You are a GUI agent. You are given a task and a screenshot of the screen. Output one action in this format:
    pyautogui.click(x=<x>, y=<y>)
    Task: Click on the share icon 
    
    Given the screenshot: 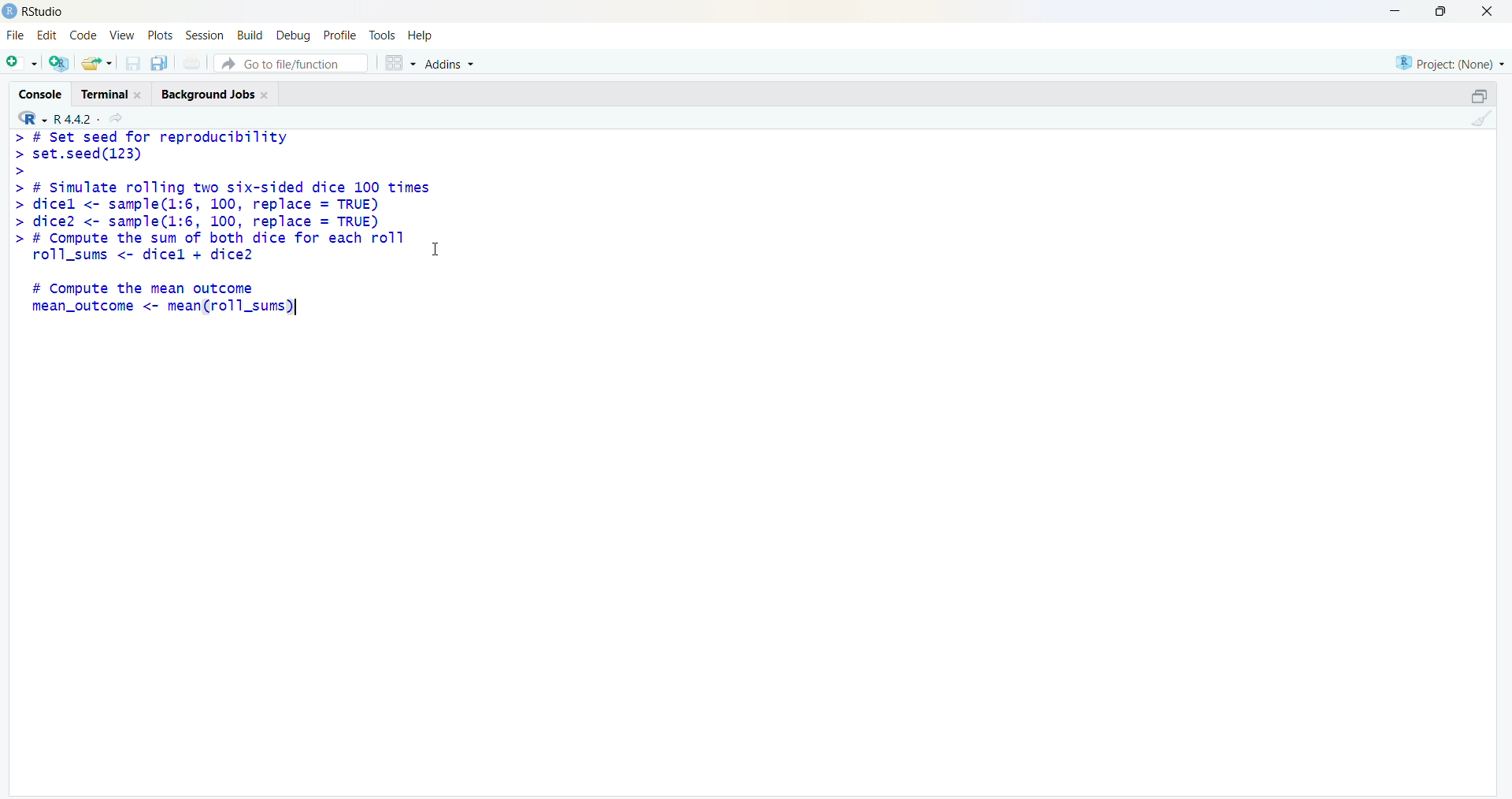 What is the action you would take?
    pyautogui.click(x=117, y=119)
    